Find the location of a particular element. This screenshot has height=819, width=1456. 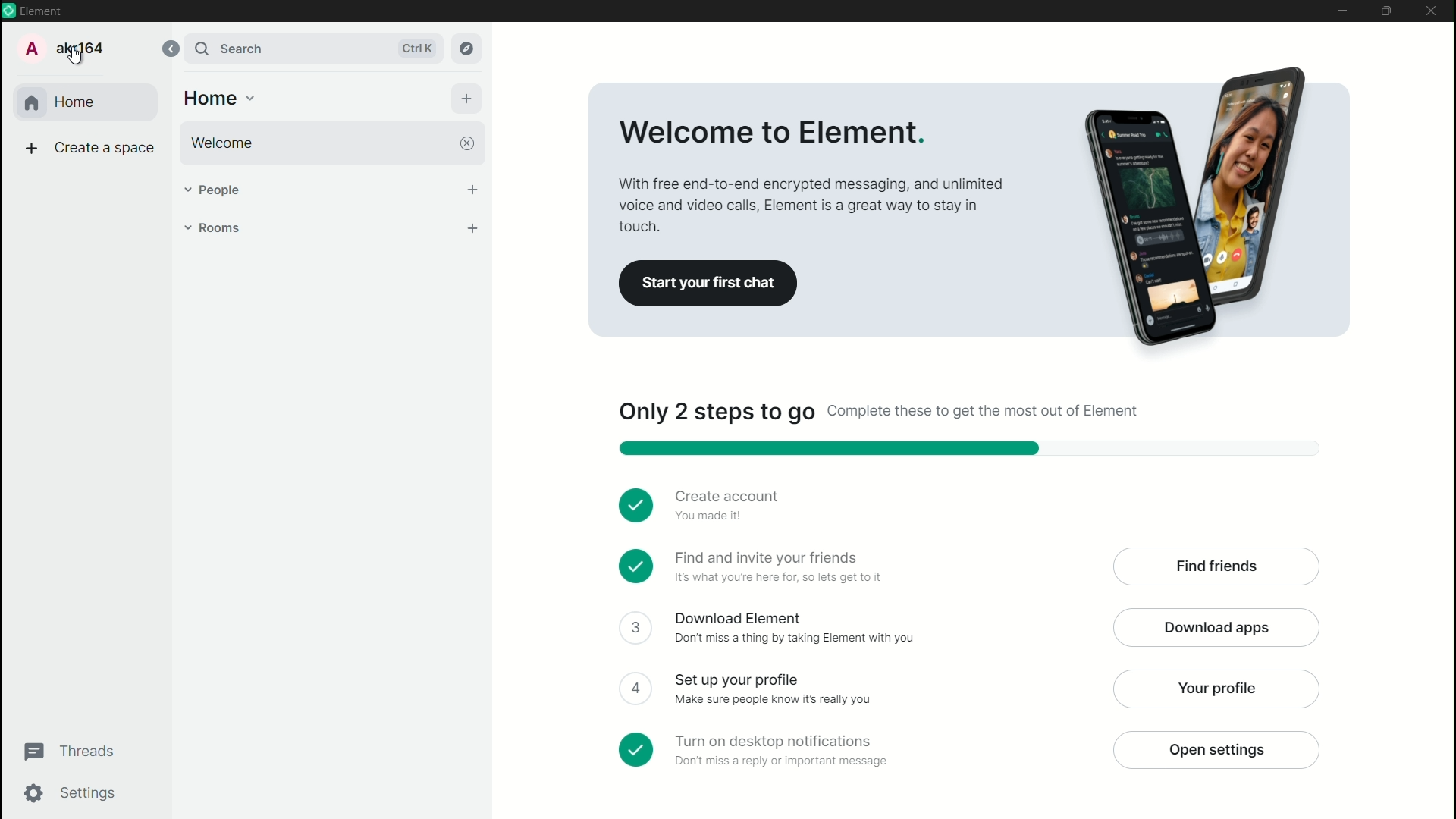

download apps is located at coordinates (1216, 629).